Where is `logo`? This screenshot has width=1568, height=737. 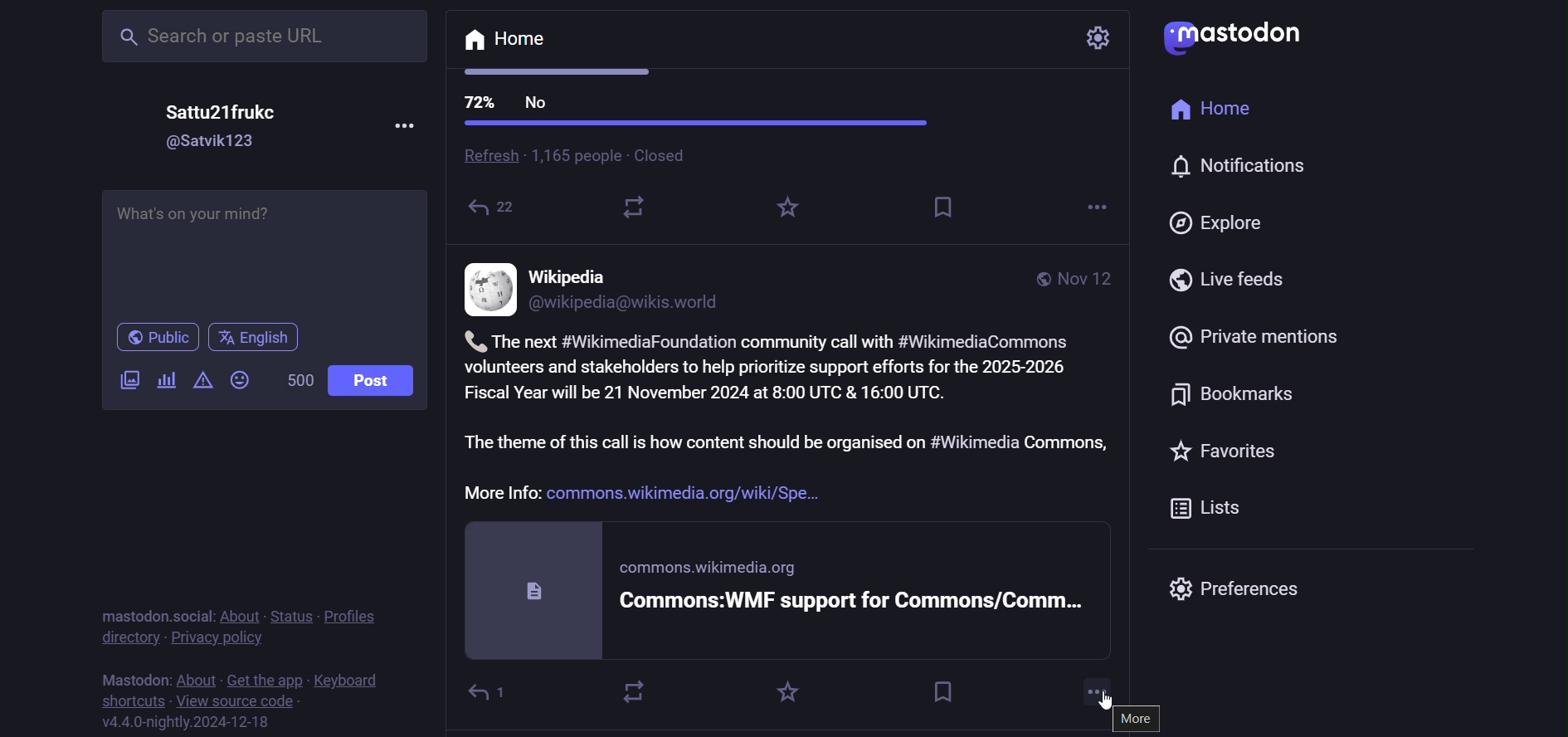
logo is located at coordinates (1244, 33).